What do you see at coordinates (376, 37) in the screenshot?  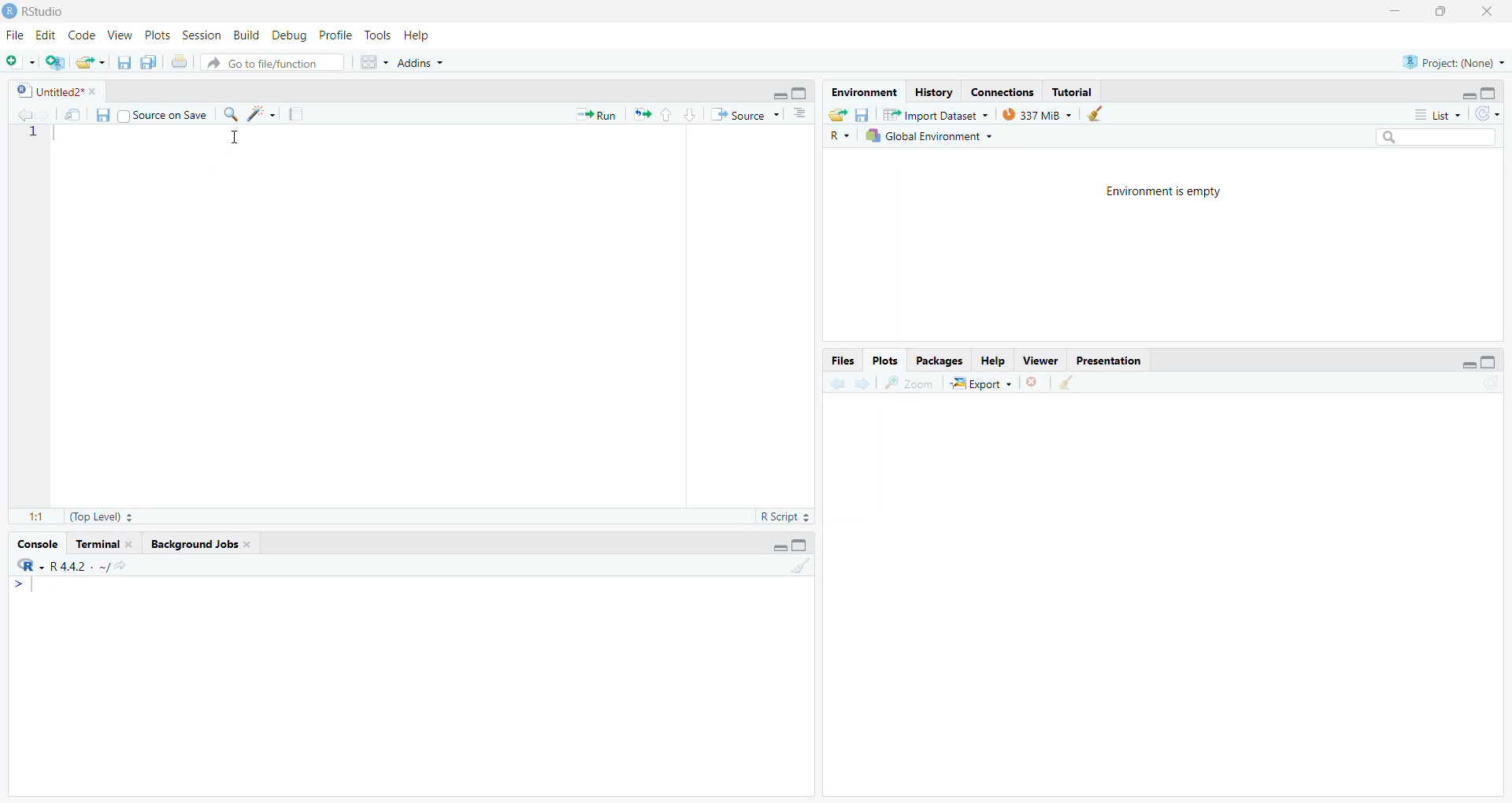 I see `Tools` at bounding box center [376, 37].